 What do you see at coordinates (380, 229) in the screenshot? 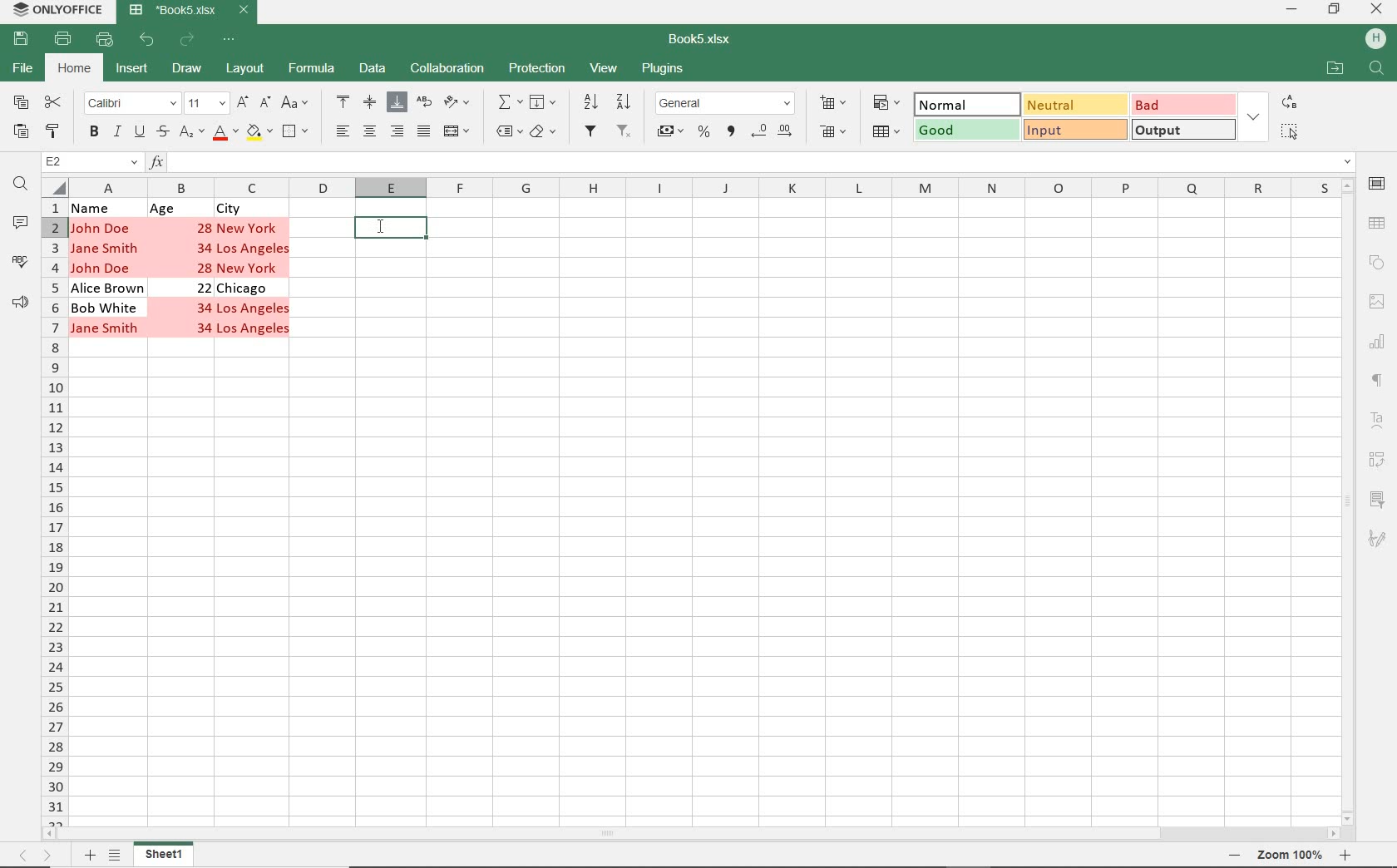
I see `CURSOR on Selected cell` at bounding box center [380, 229].